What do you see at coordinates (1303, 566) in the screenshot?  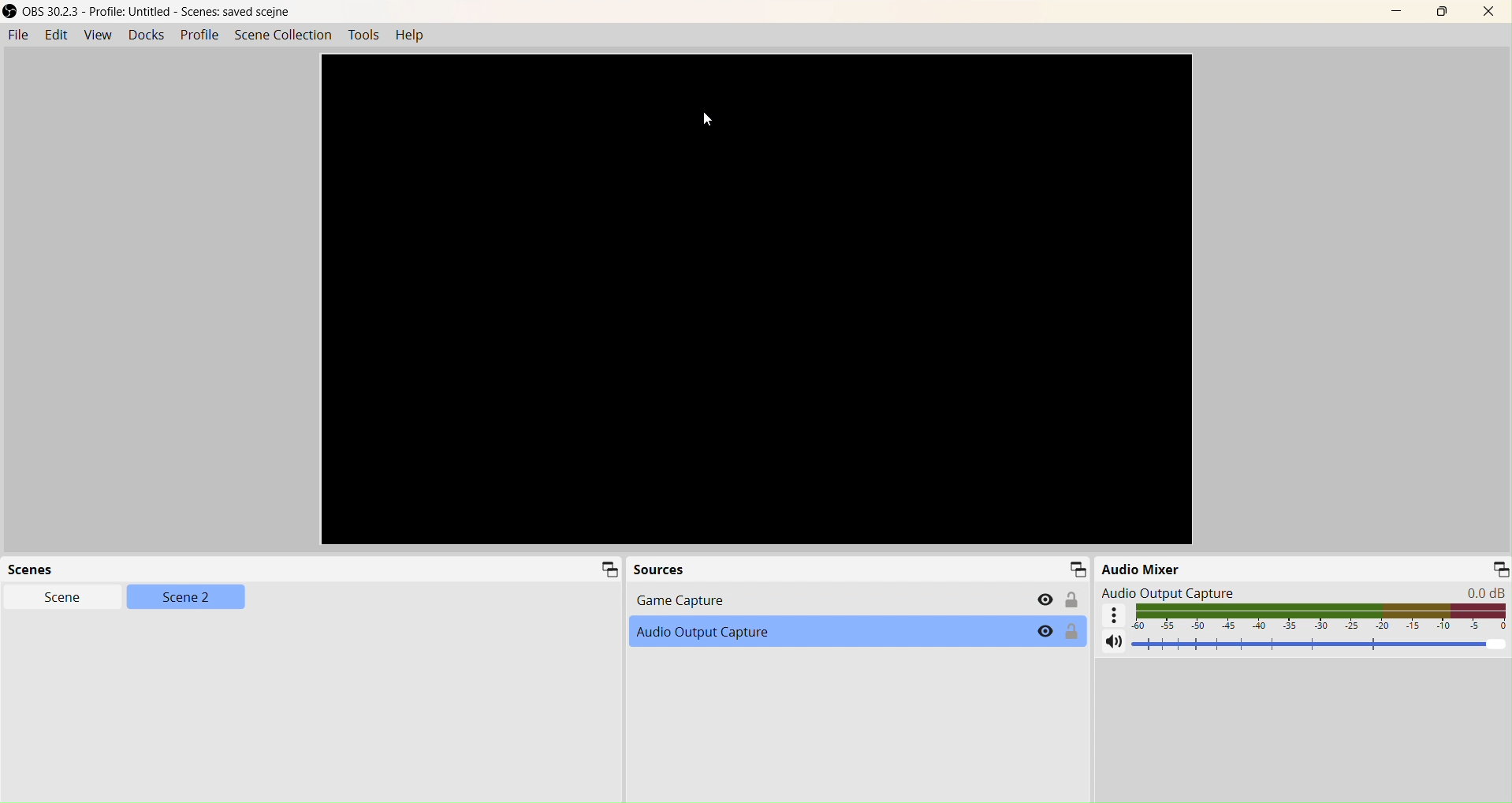 I see `Audio Mixer` at bounding box center [1303, 566].